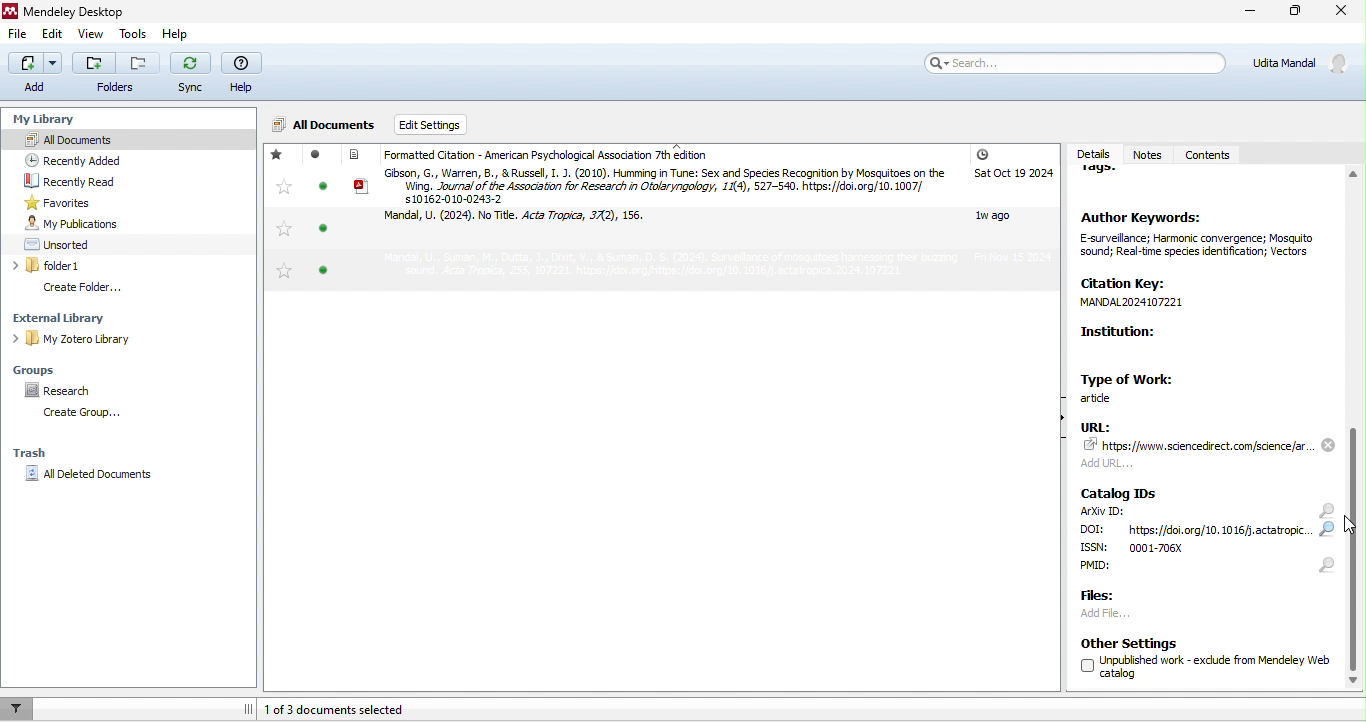 Image resolution: width=1366 pixels, height=722 pixels. I want to click on edit settings, so click(451, 125).